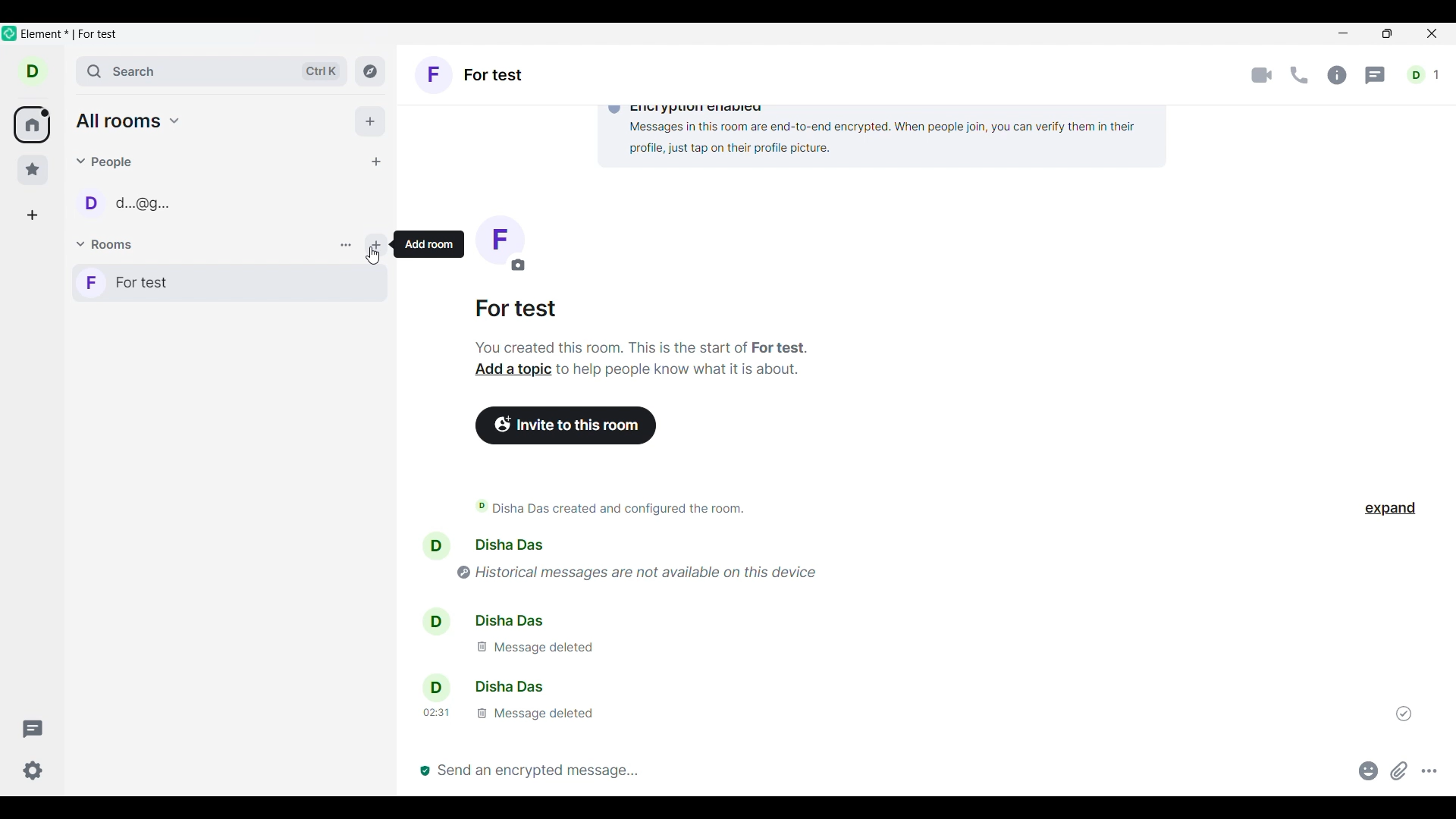  Describe the element at coordinates (33, 770) in the screenshot. I see `quick settings` at that location.